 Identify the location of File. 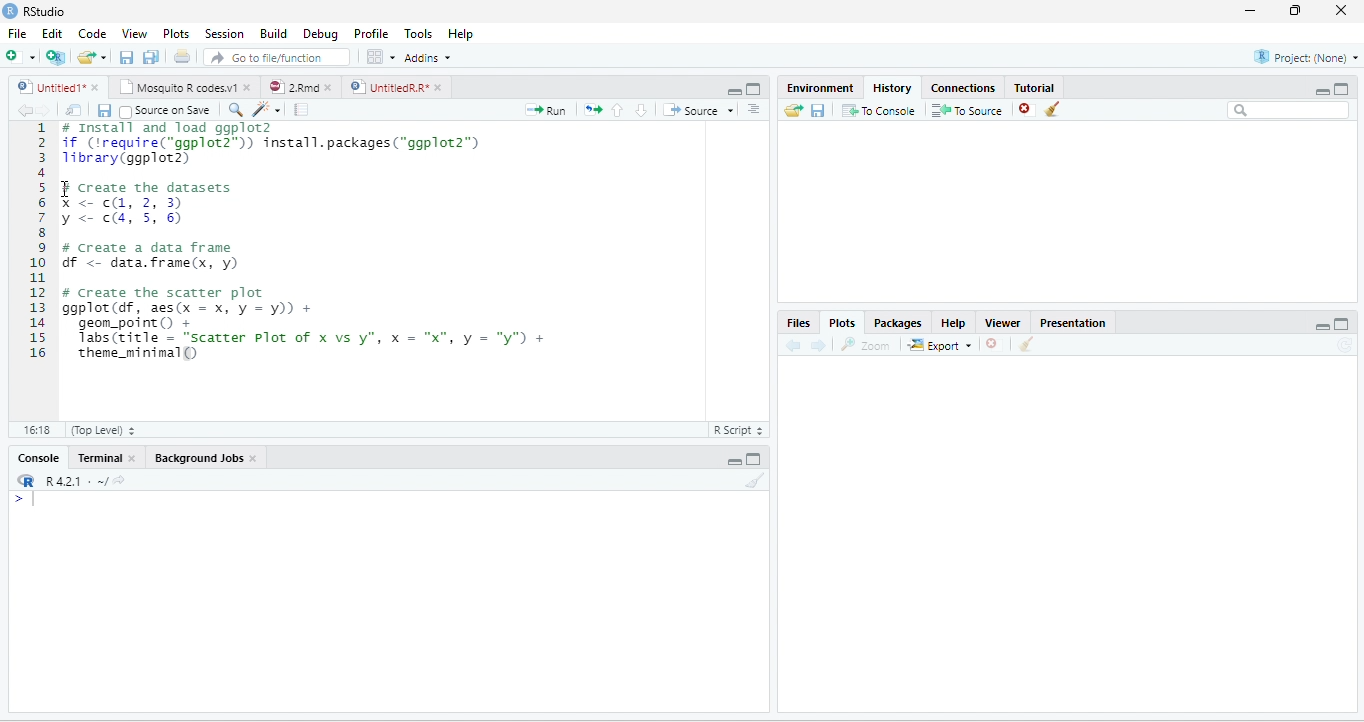
(18, 33).